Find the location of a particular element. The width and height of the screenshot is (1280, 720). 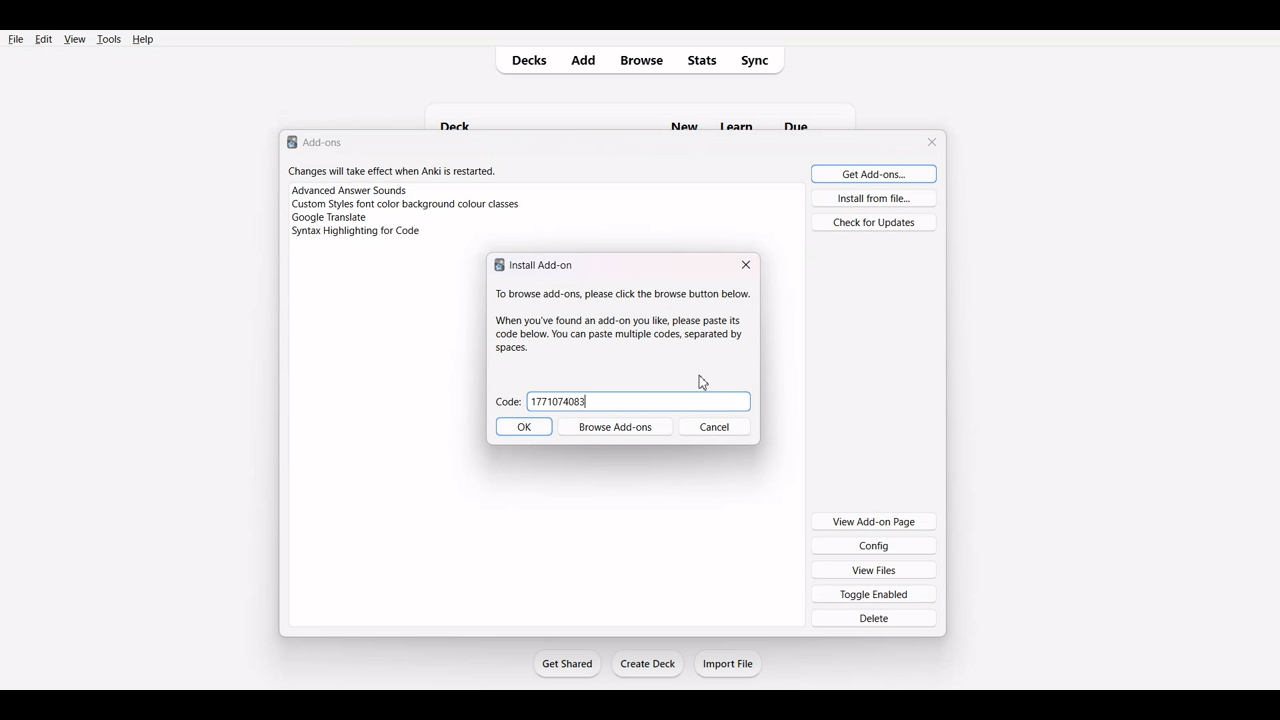

Import File is located at coordinates (729, 663).